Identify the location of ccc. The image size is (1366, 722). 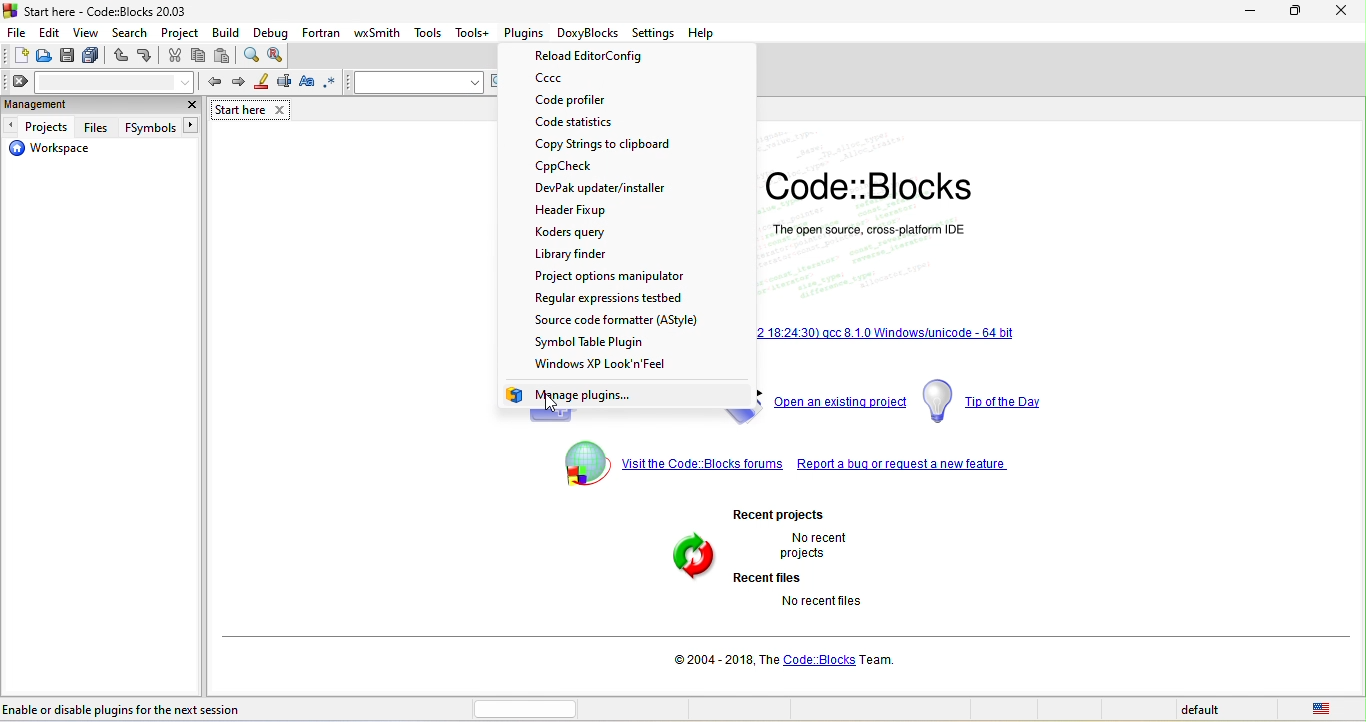
(584, 80).